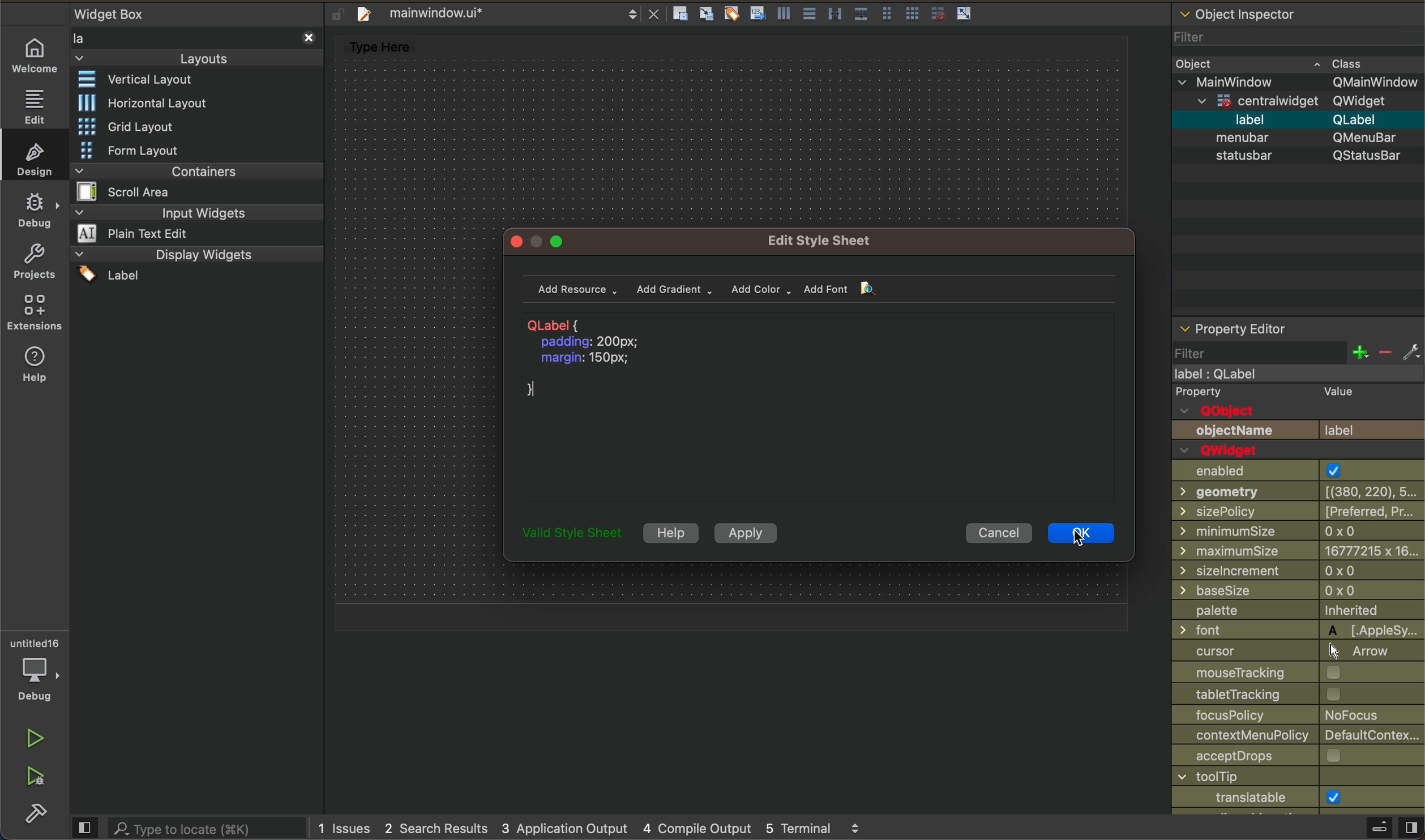 The height and width of the screenshot is (840, 1425). Describe the element at coordinates (1288, 715) in the screenshot. I see `focus` at that location.